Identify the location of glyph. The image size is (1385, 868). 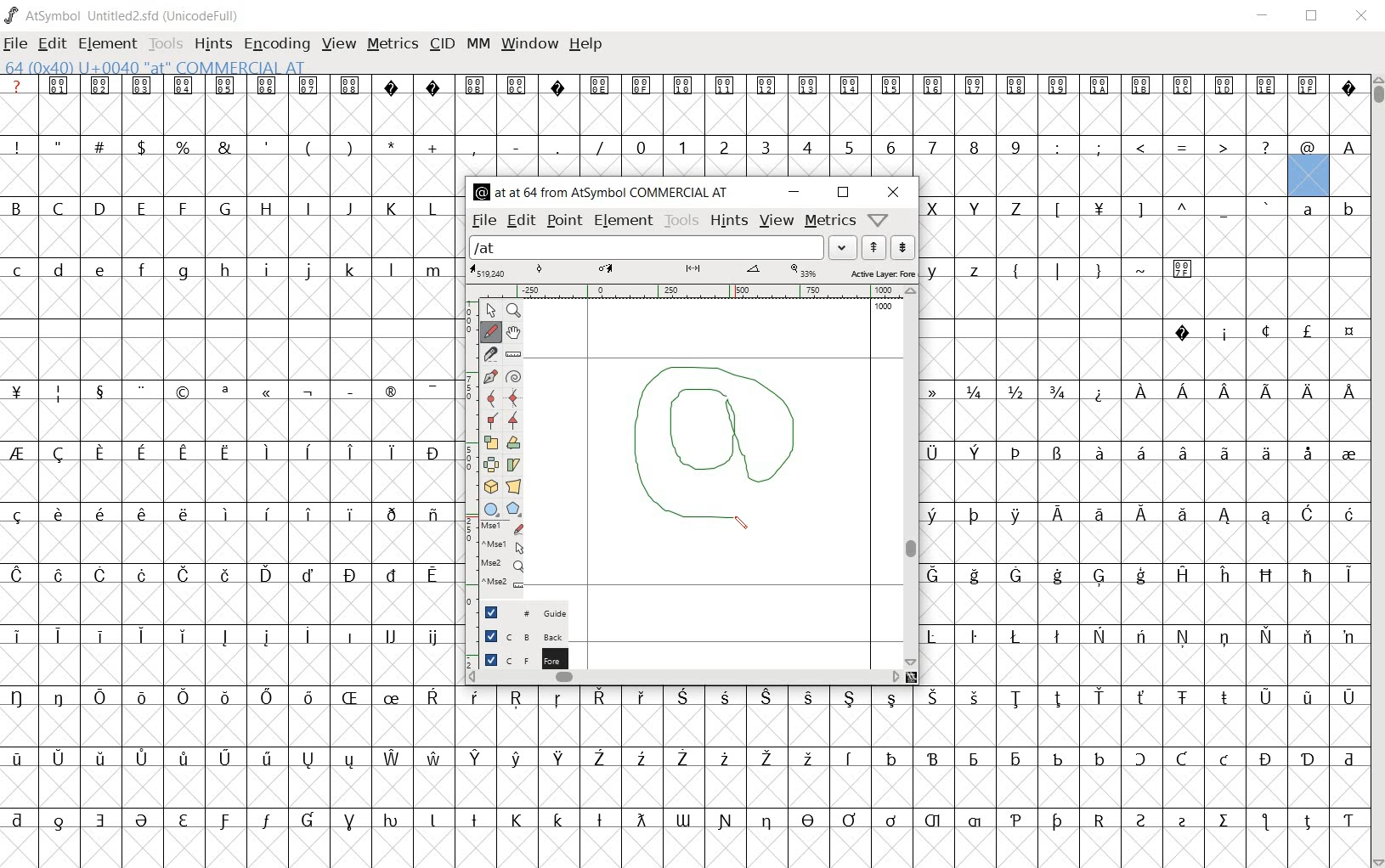
(228, 470).